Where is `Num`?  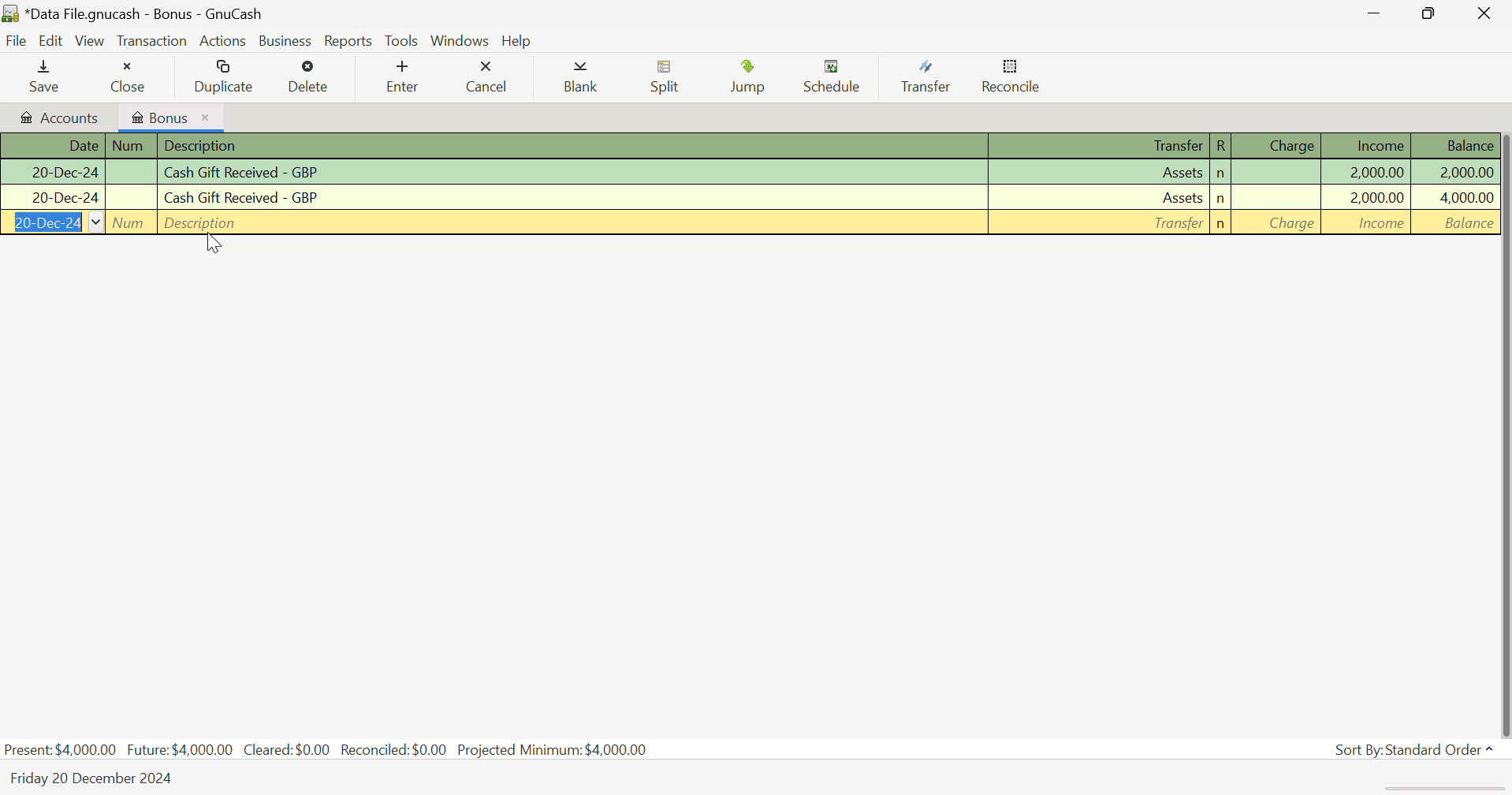
Num is located at coordinates (132, 198).